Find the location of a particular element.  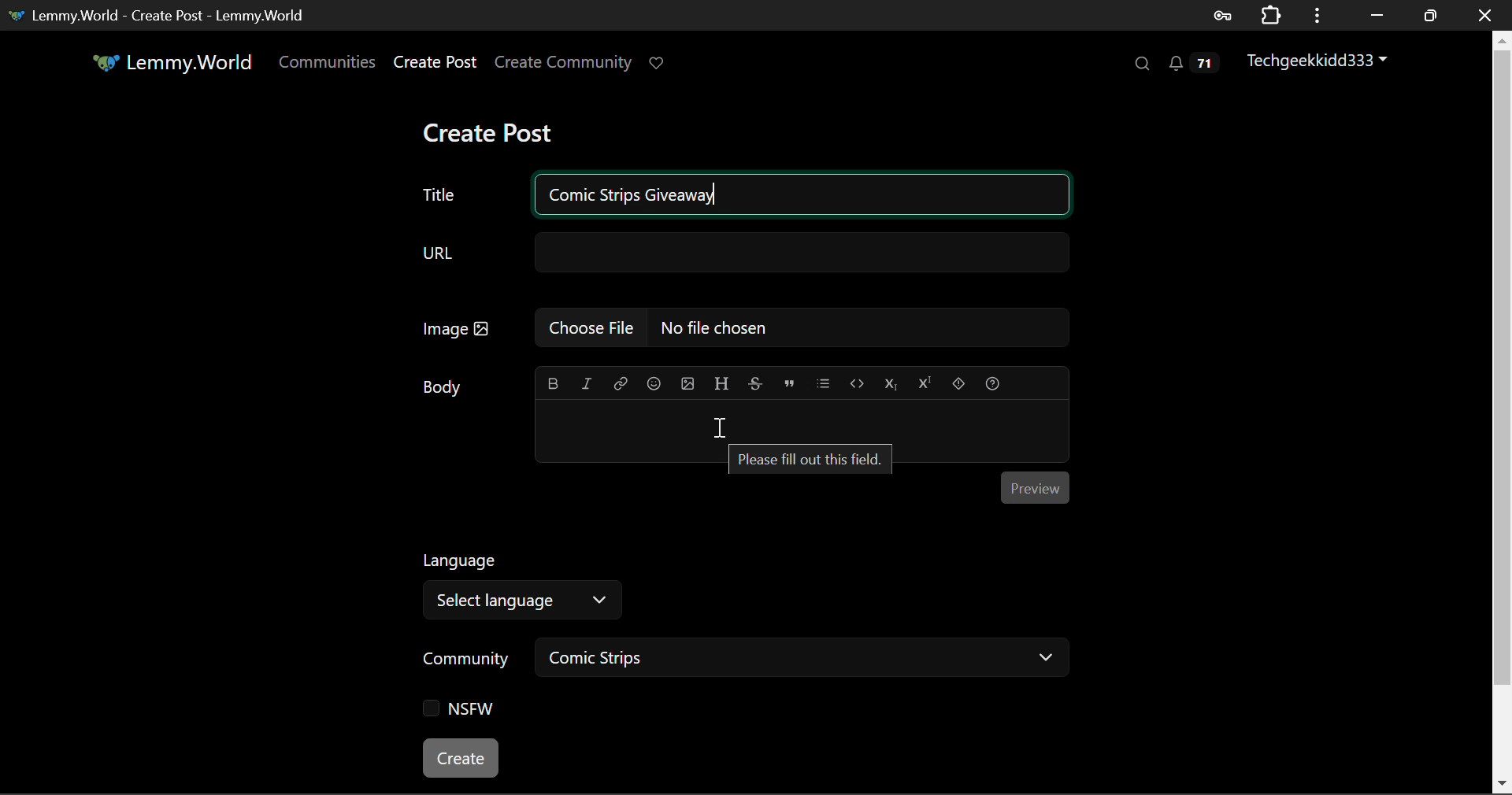

strikethrough is located at coordinates (756, 380).